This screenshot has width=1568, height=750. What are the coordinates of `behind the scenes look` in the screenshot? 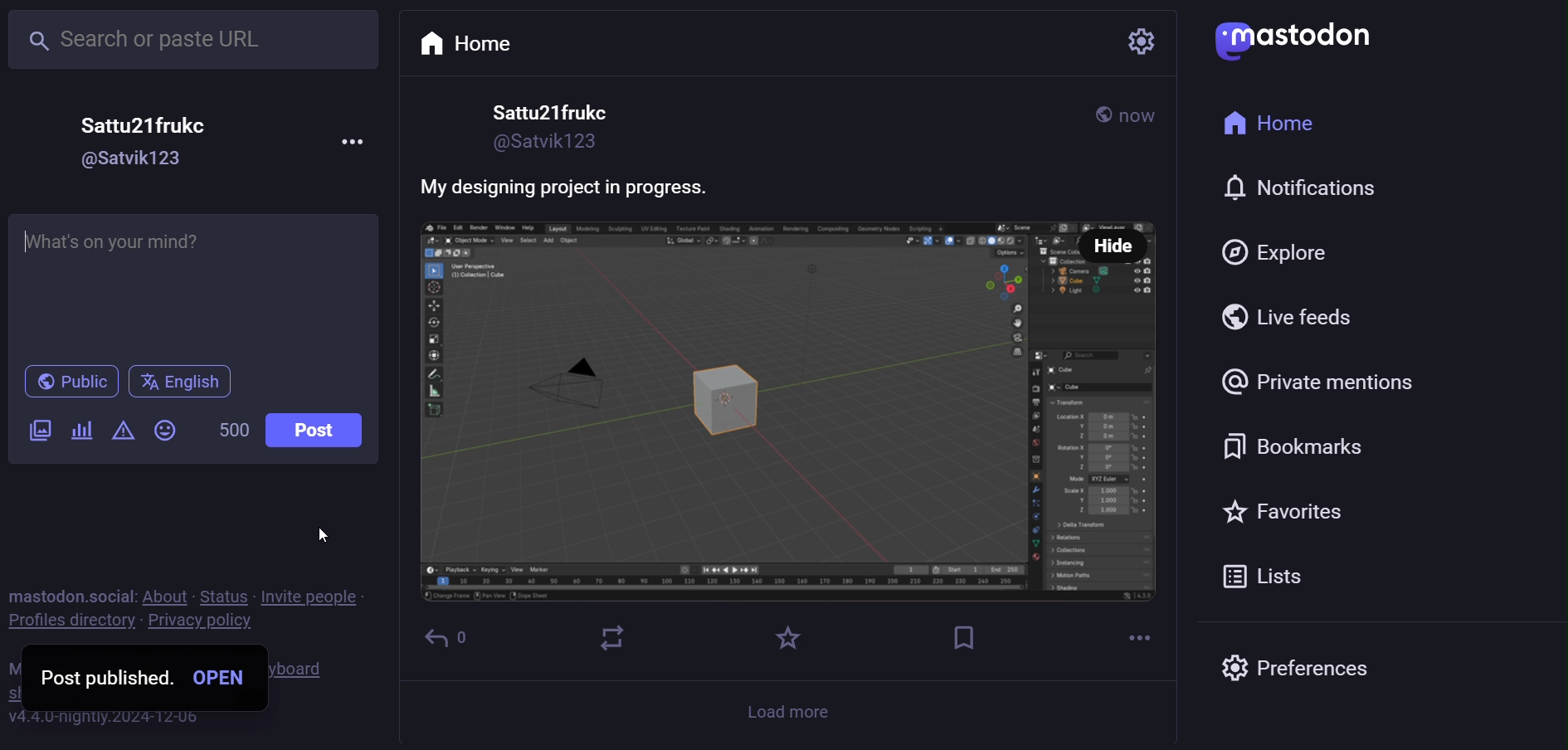 It's located at (747, 413).